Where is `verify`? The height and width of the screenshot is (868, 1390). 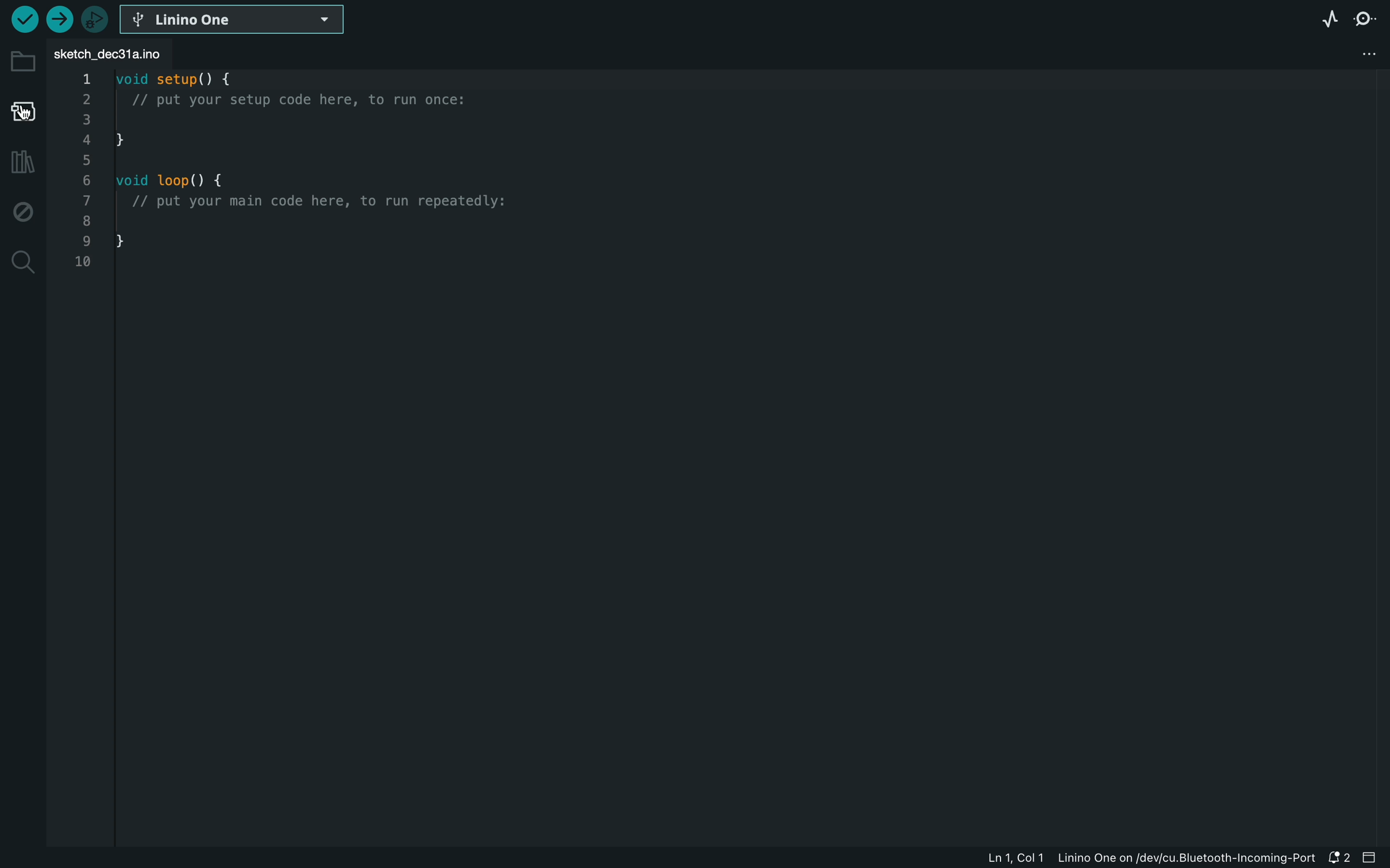 verify is located at coordinates (24, 22).